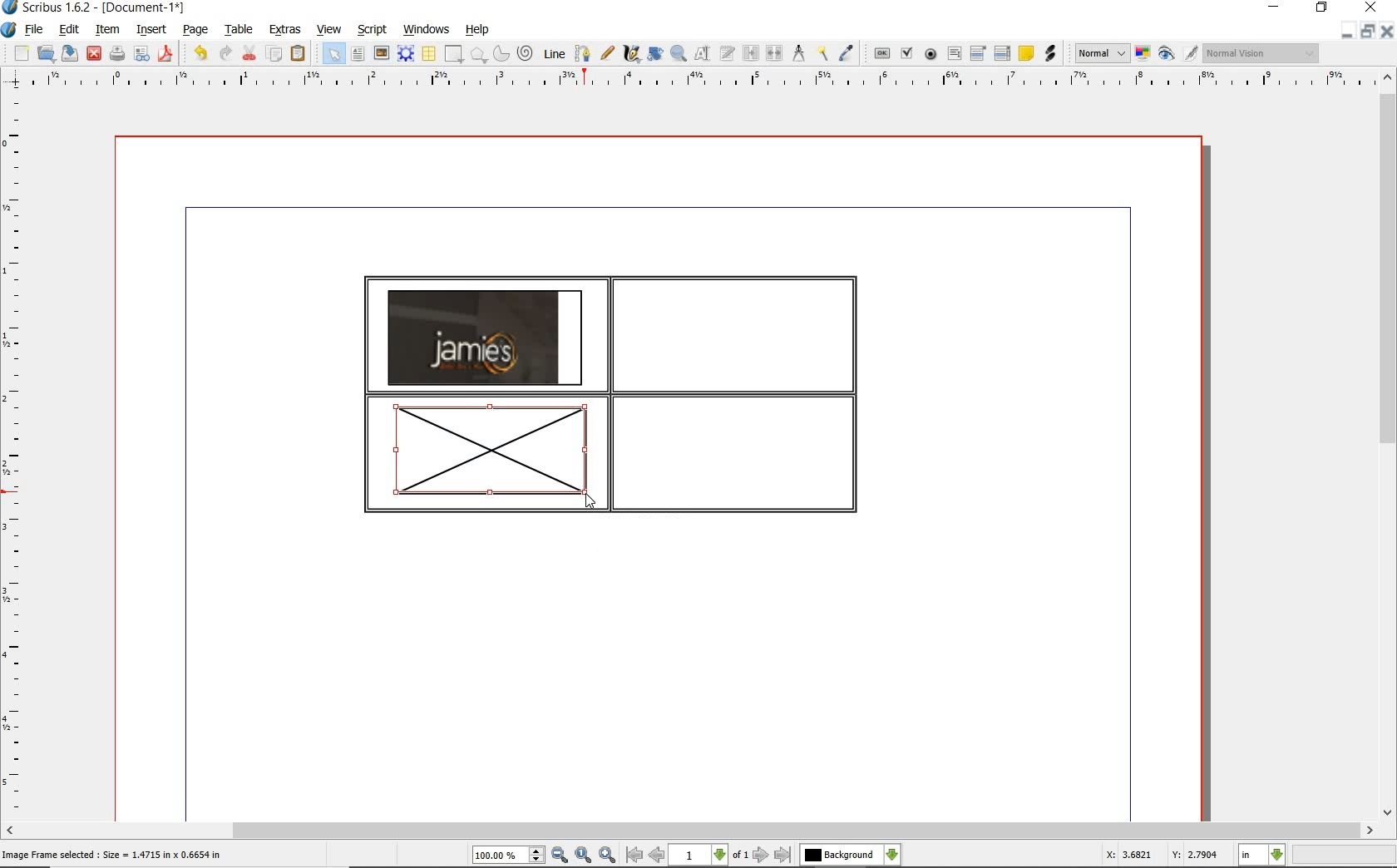 This screenshot has height=868, width=1397. Describe the element at coordinates (479, 56) in the screenshot. I see `shape` at that location.